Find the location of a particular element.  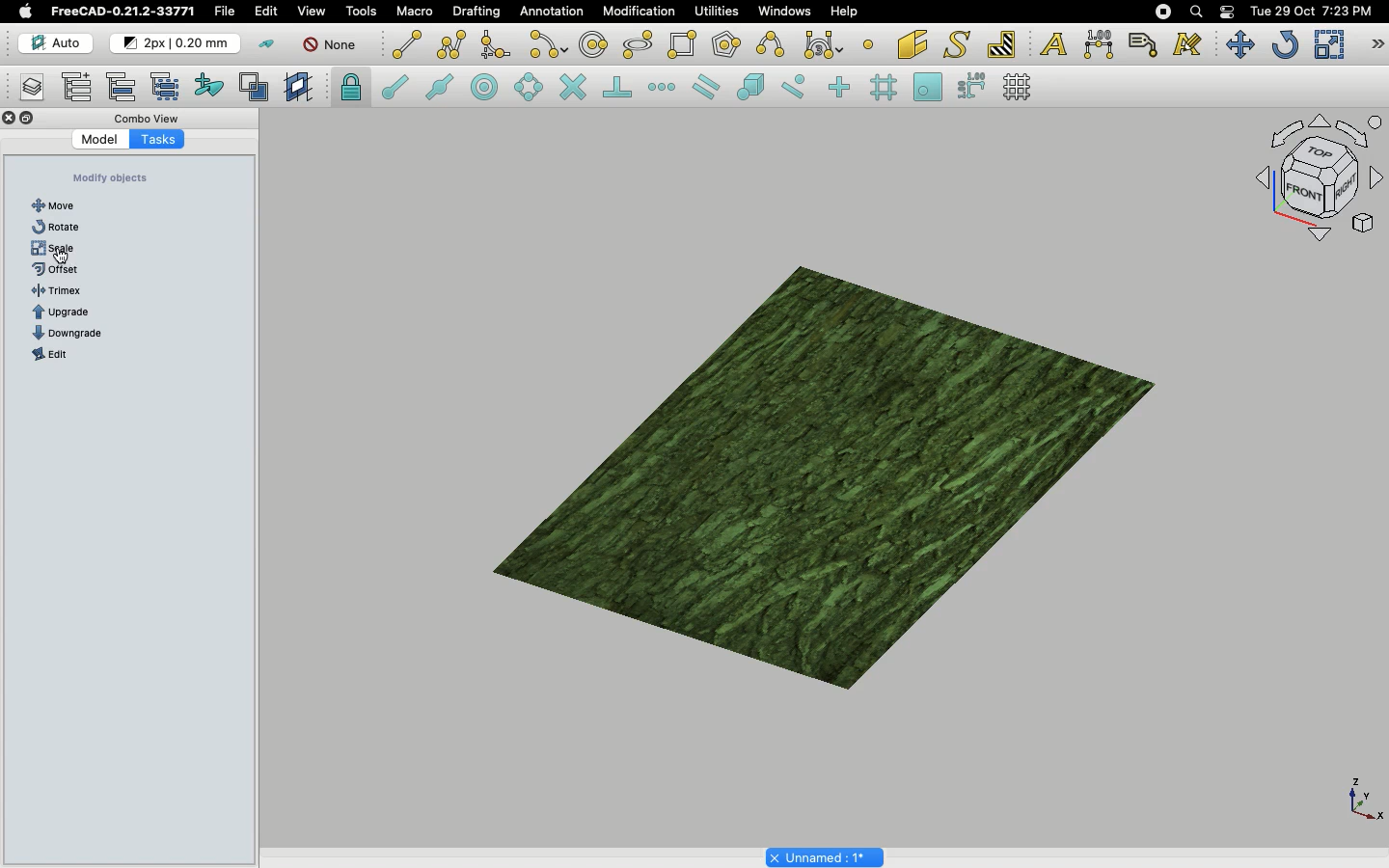

Annotation styles is located at coordinates (1186, 46).